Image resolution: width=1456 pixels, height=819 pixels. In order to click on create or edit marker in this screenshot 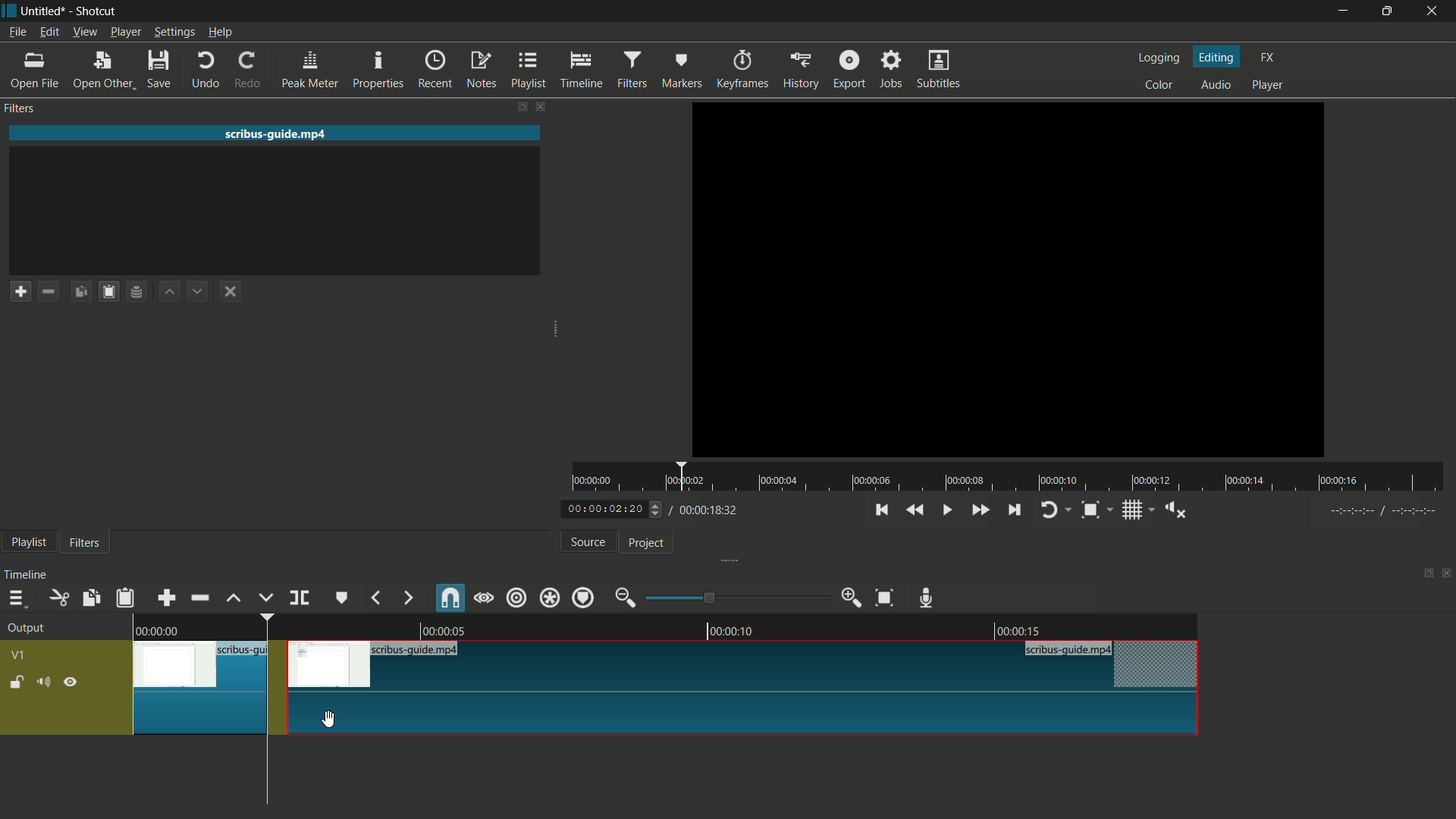, I will do `click(344, 597)`.